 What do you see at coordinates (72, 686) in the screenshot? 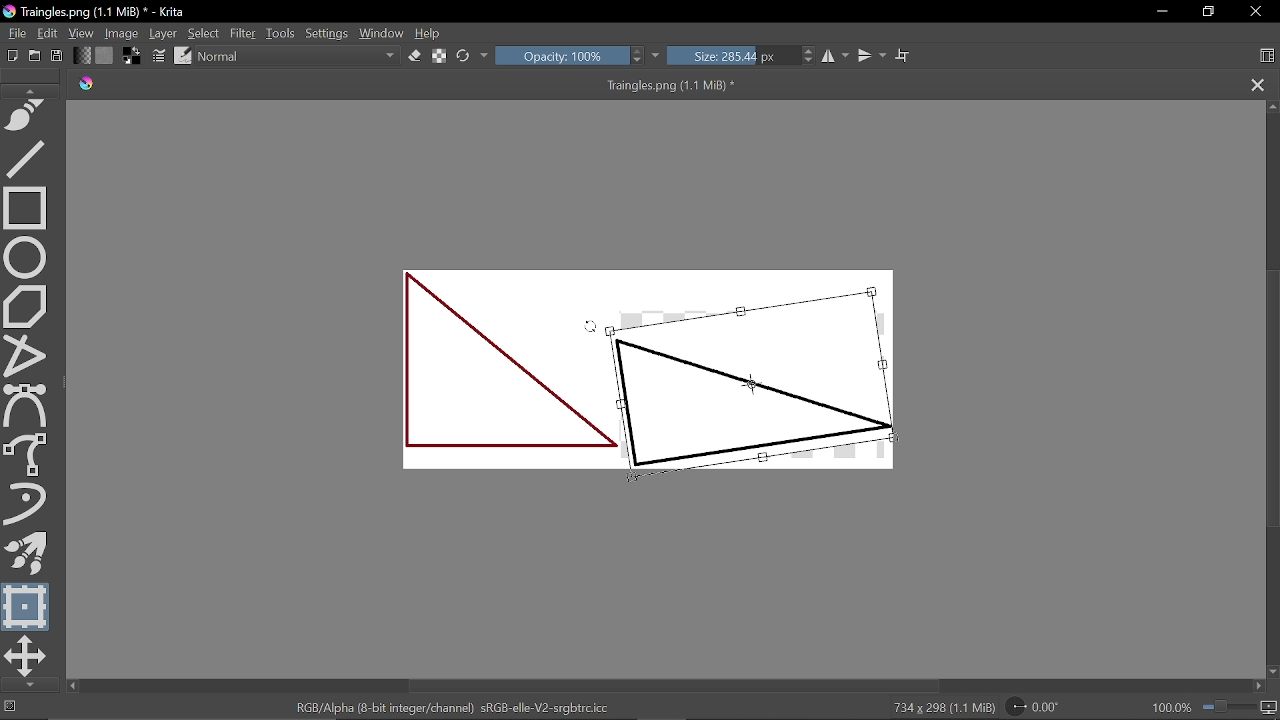
I see `Move left` at bounding box center [72, 686].